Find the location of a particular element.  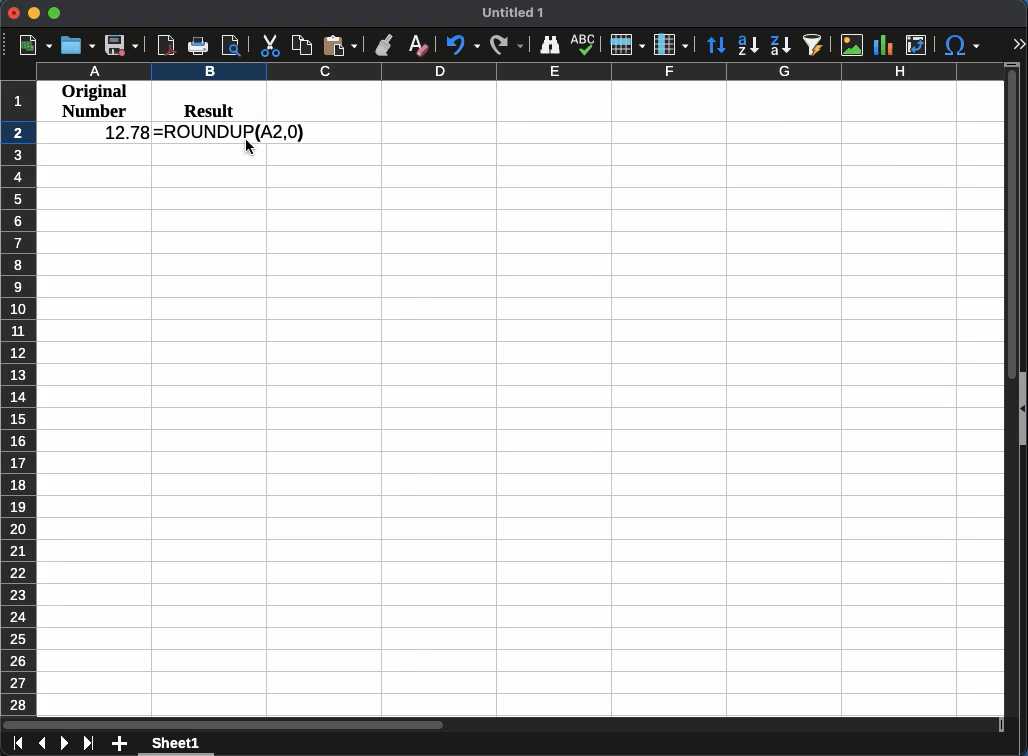

print preview is located at coordinates (233, 47).